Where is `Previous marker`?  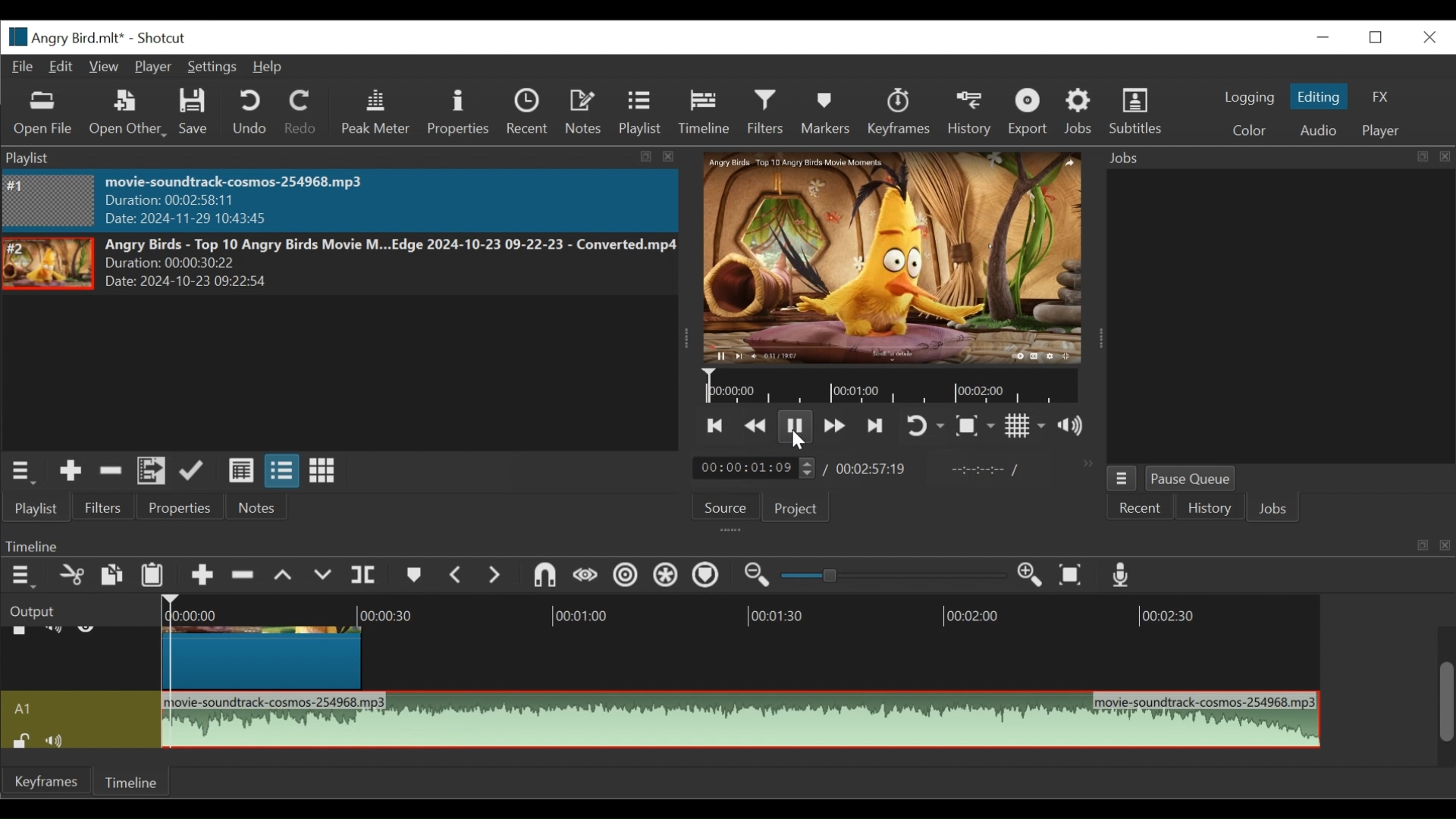 Previous marker is located at coordinates (456, 574).